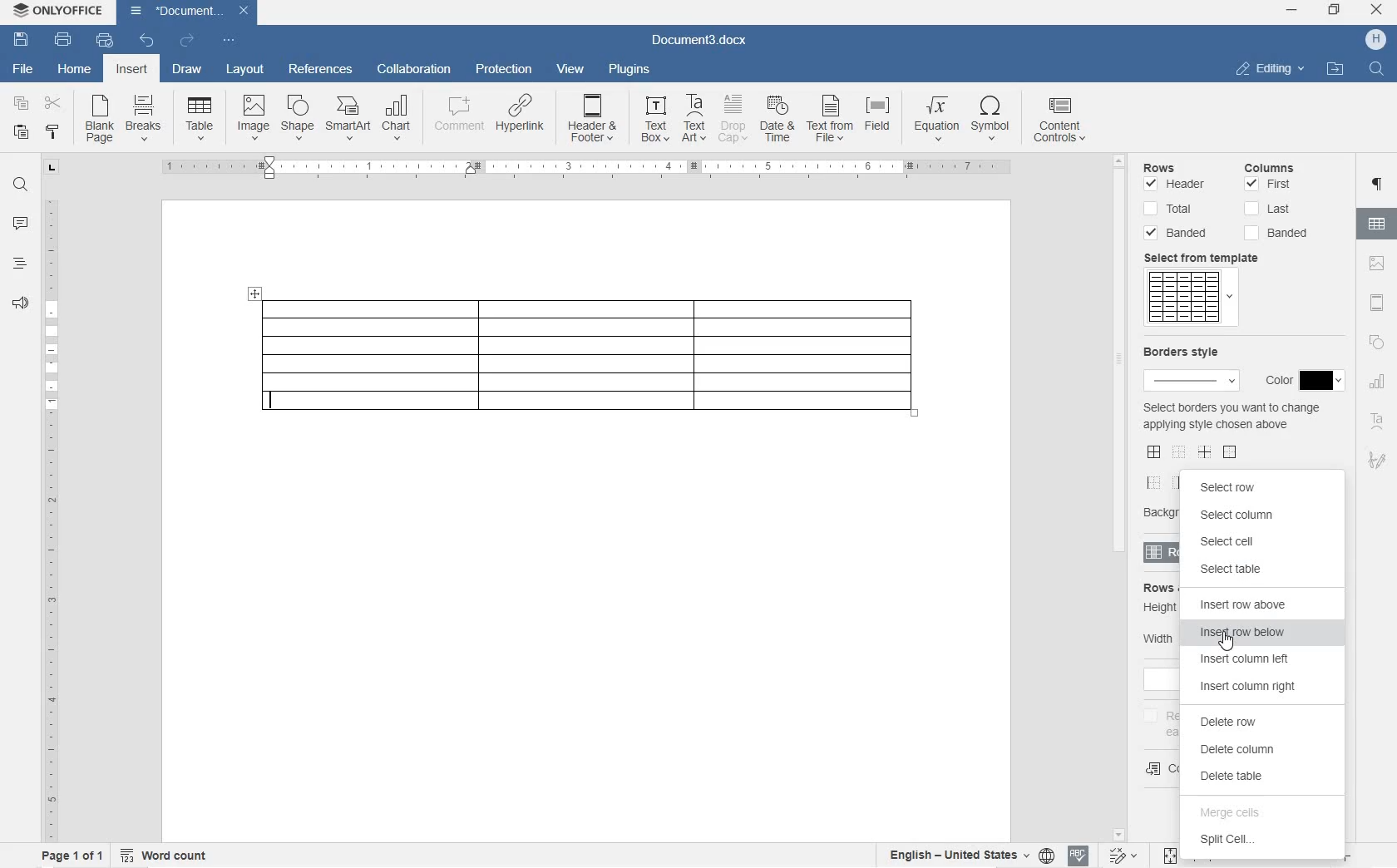 The height and width of the screenshot is (868, 1397). What do you see at coordinates (62, 40) in the screenshot?
I see `PRINT` at bounding box center [62, 40].